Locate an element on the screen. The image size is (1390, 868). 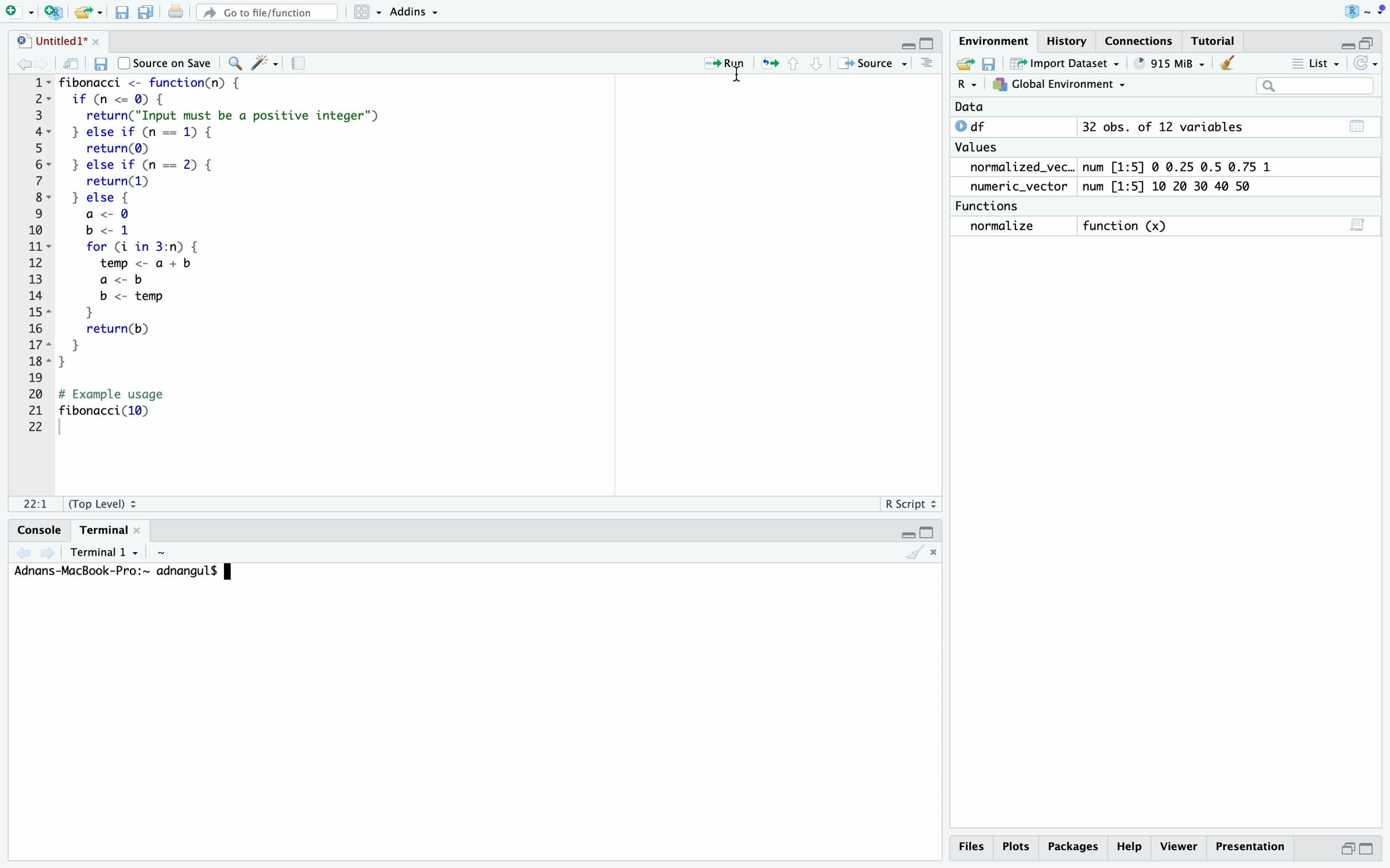
workspace panes is located at coordinates (364, 11).